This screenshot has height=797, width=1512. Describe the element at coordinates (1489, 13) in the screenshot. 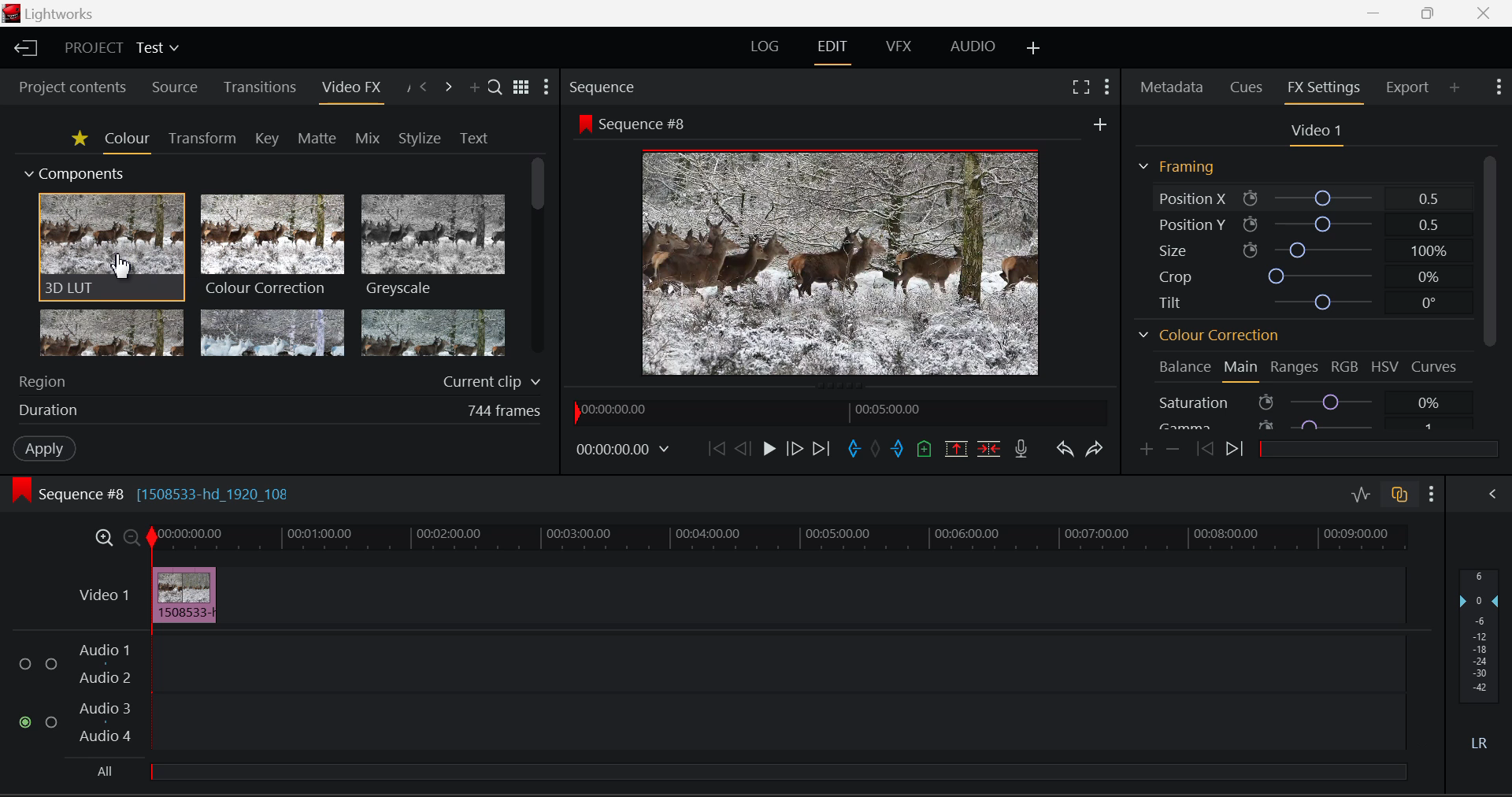

I see `Close` at that location.